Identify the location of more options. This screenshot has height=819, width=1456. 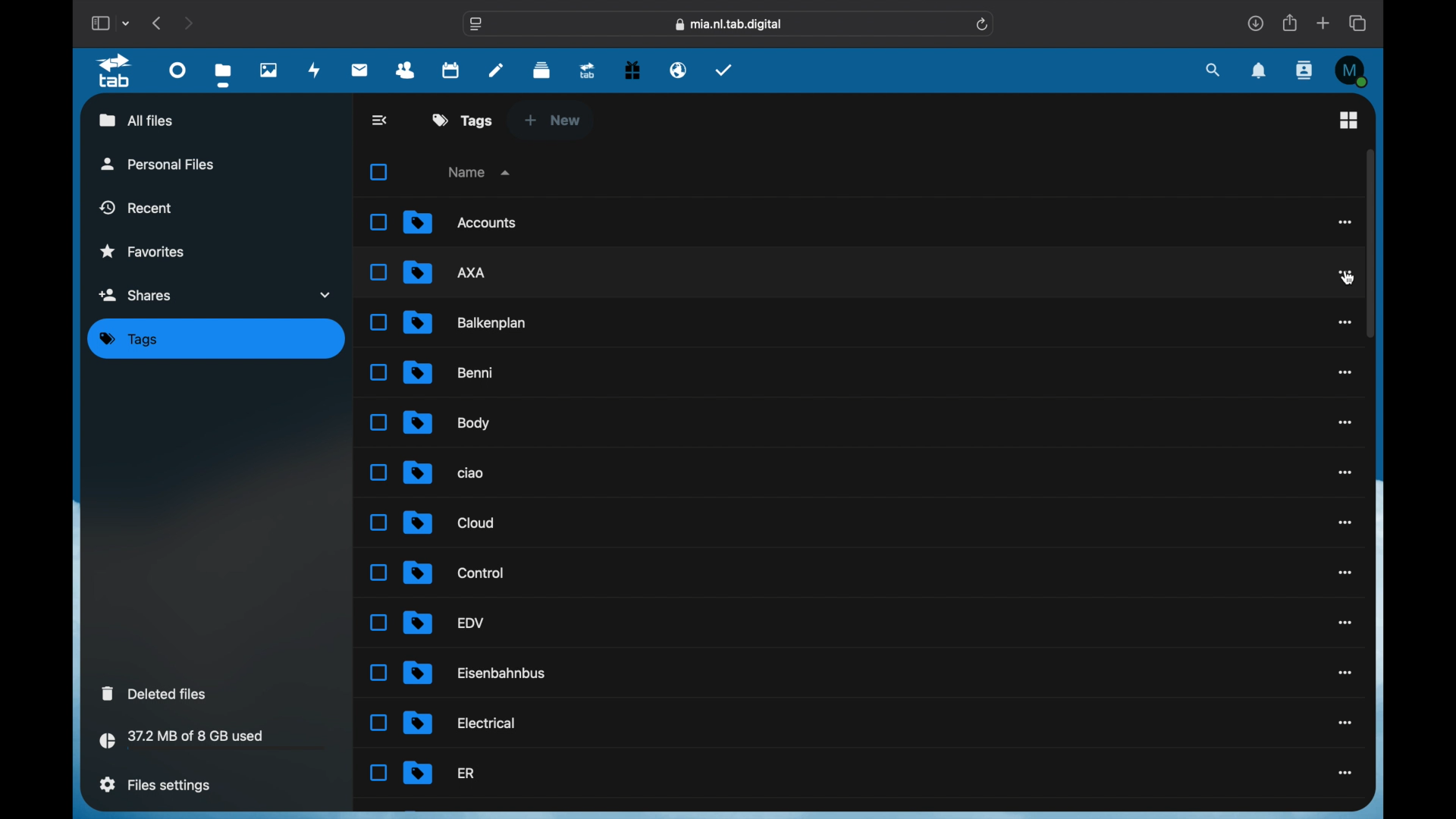
(1346, 371).